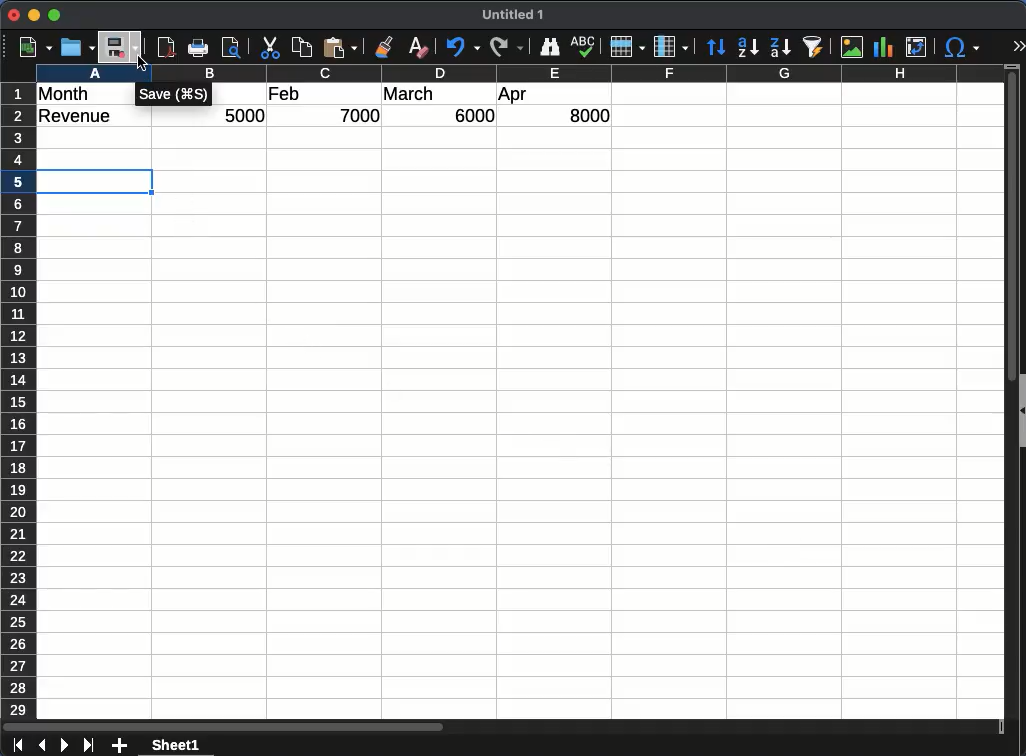 This screenshot has width=1026, height=756. I want to click on undo, so click(460, 48).